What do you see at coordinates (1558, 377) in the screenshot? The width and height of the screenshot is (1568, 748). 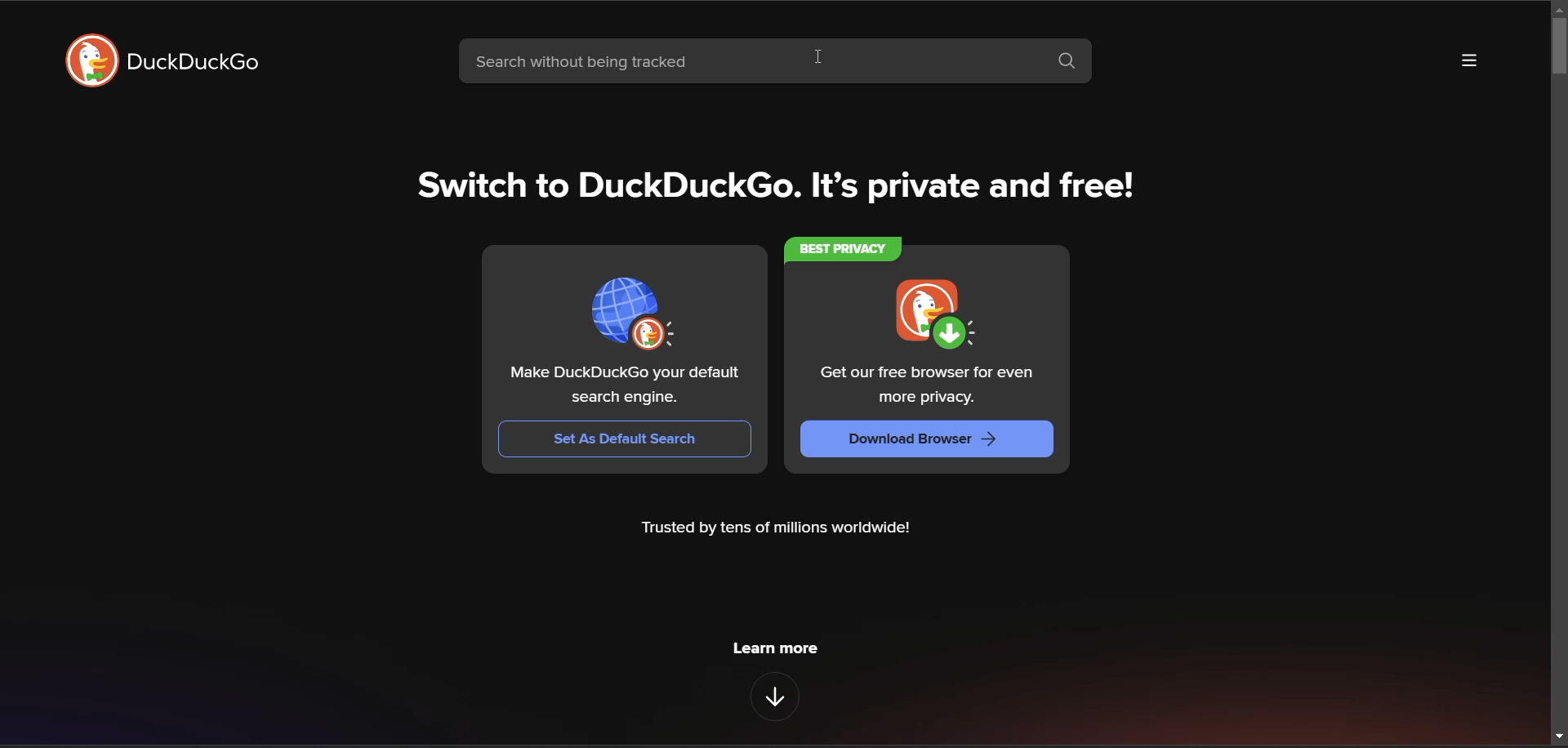 I see `vertical scroll bar` at bounding box center [1558, 377].